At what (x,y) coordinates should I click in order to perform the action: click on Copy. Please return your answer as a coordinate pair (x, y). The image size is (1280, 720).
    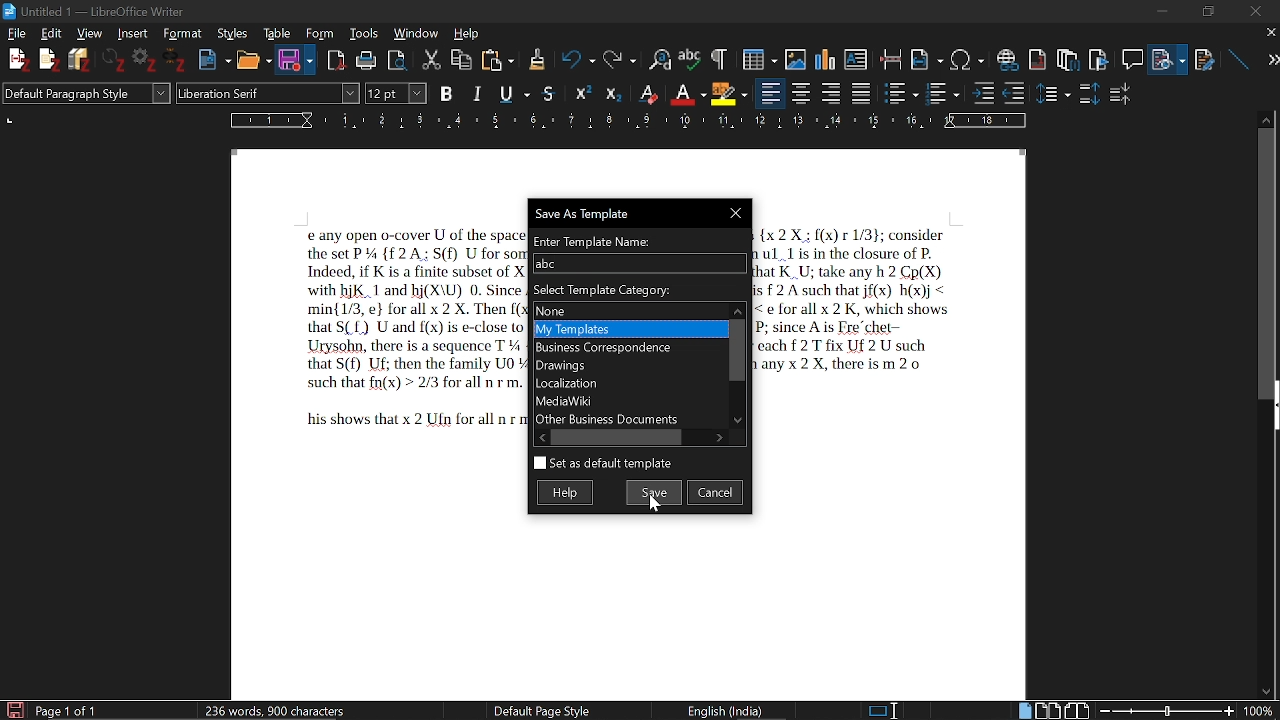
    Looking at the image, I should click on (463, 58).